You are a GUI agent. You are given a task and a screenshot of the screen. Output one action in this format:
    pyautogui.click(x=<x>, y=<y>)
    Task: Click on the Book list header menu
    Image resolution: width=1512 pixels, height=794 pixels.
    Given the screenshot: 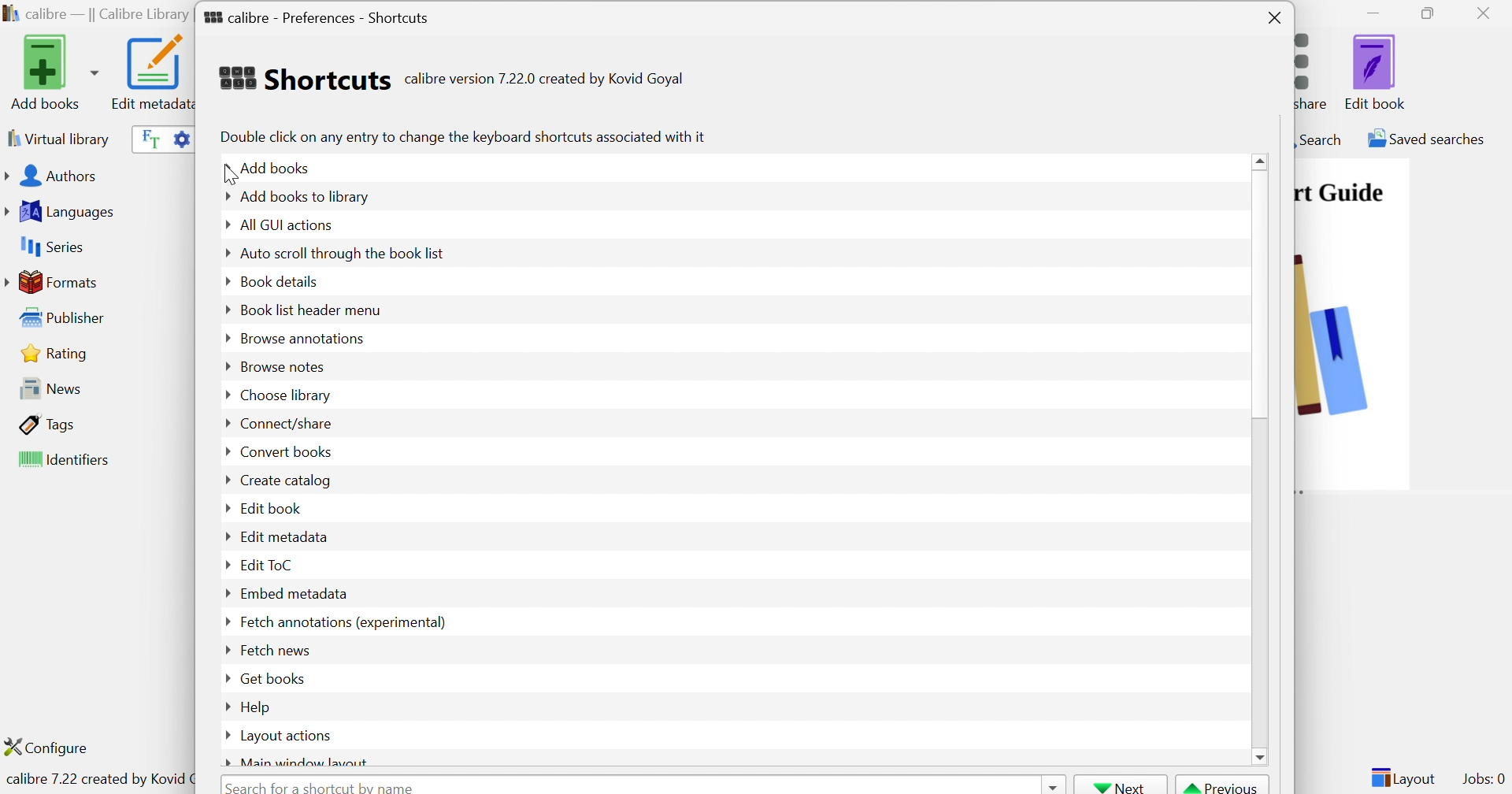 What is the action you would take?
    pyautogui.click(x=310, y=311)
    